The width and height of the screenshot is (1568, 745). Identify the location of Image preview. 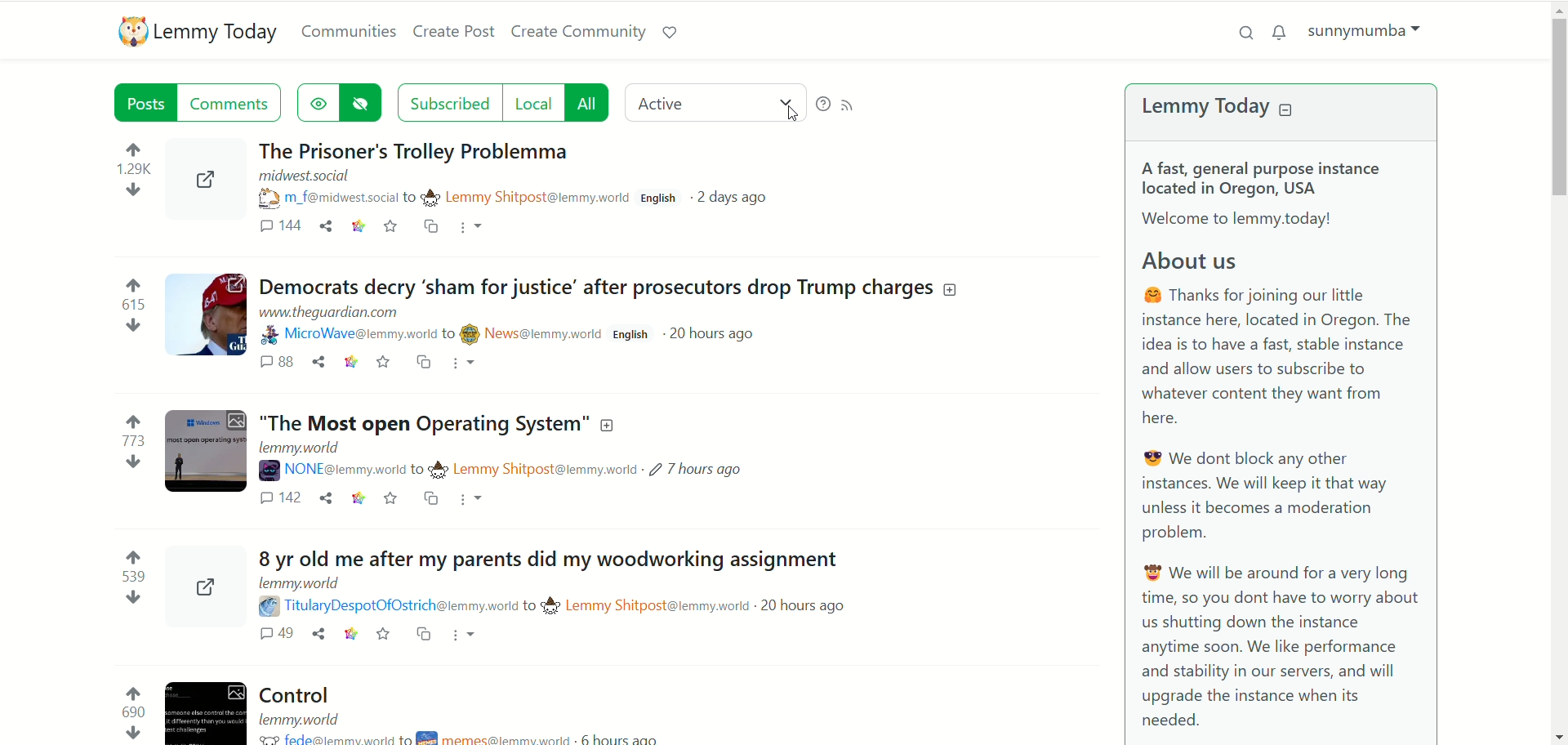
(205, 706).